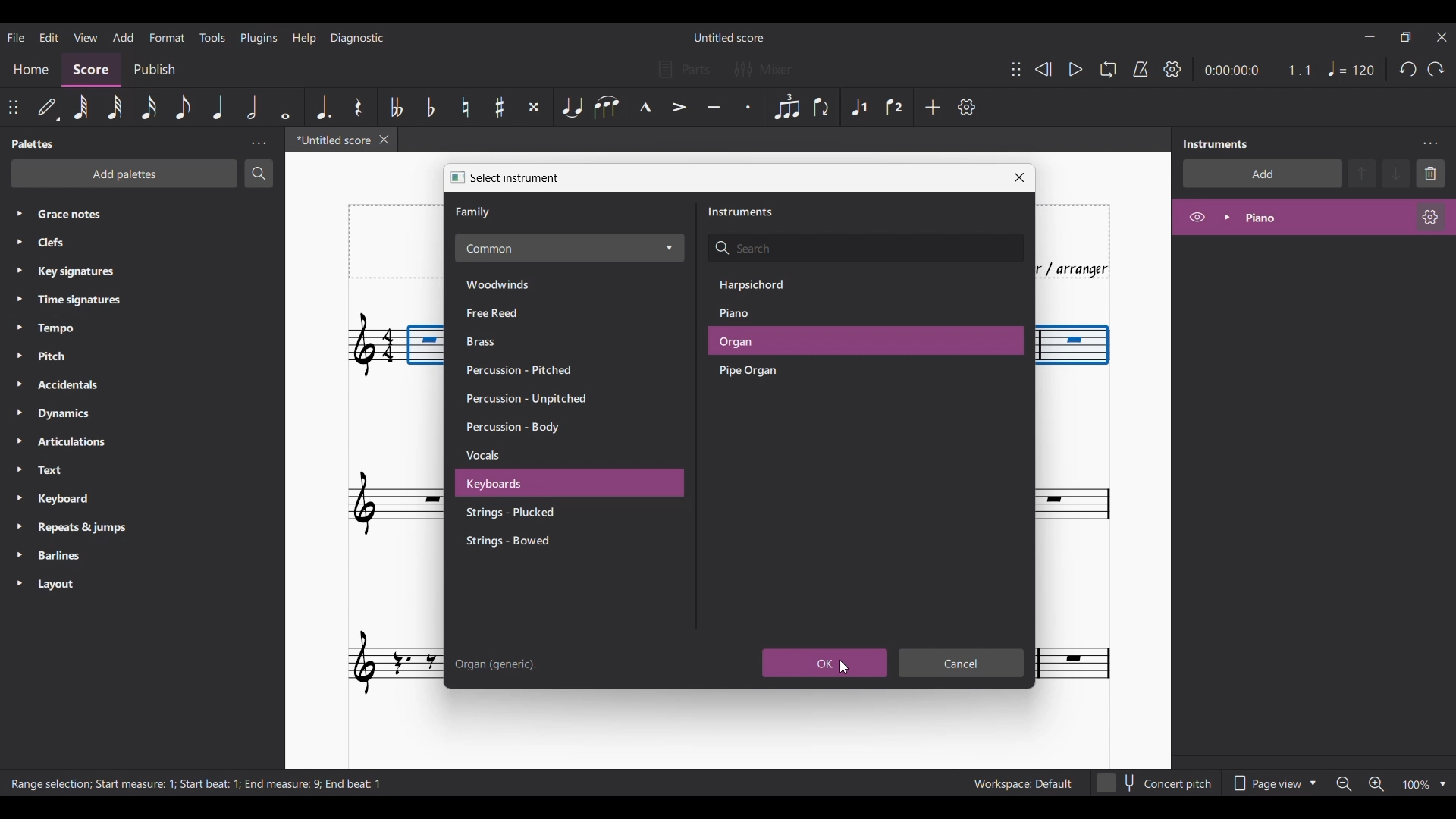 The image size is (1456, 819). What do you see at coordinates (1351, 68) in the screenshot?
I see `Quarter note` at bounding box center [1351, 68].